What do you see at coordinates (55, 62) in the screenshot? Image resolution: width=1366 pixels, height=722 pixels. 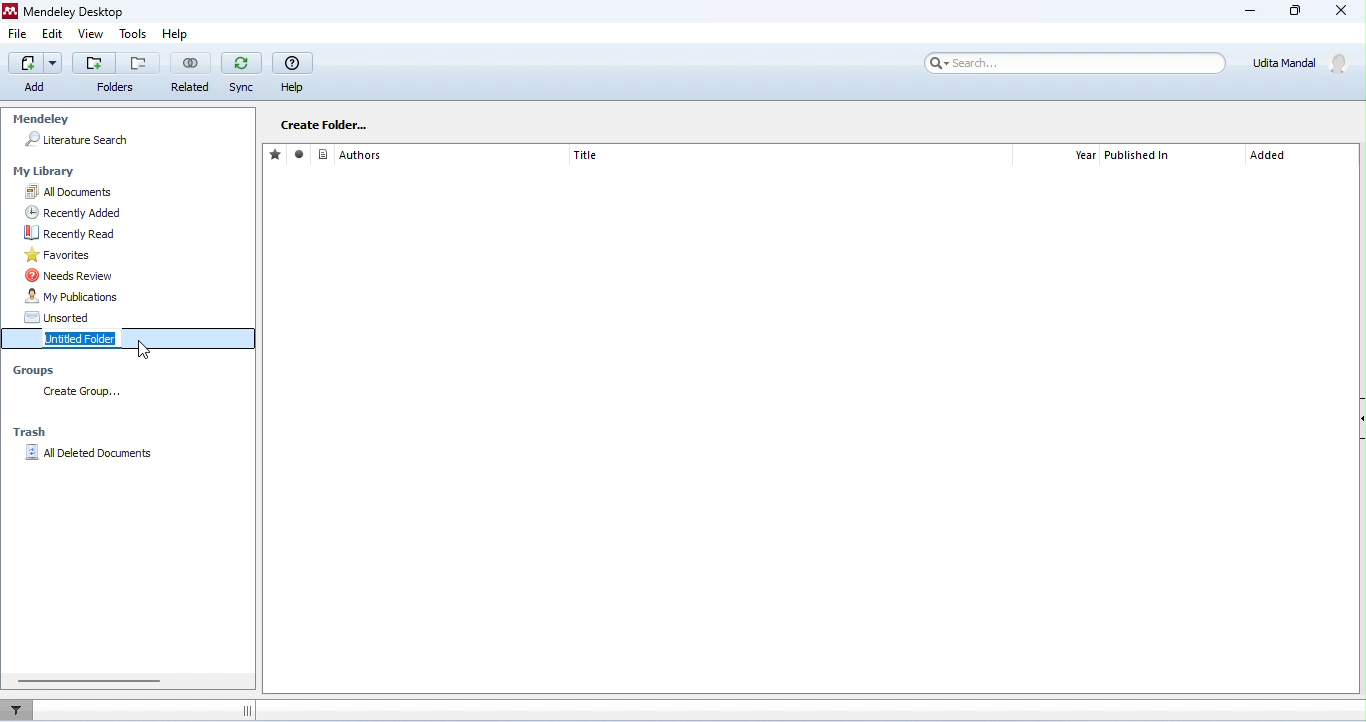 I see `drop down` at bounding box center [55, 62].